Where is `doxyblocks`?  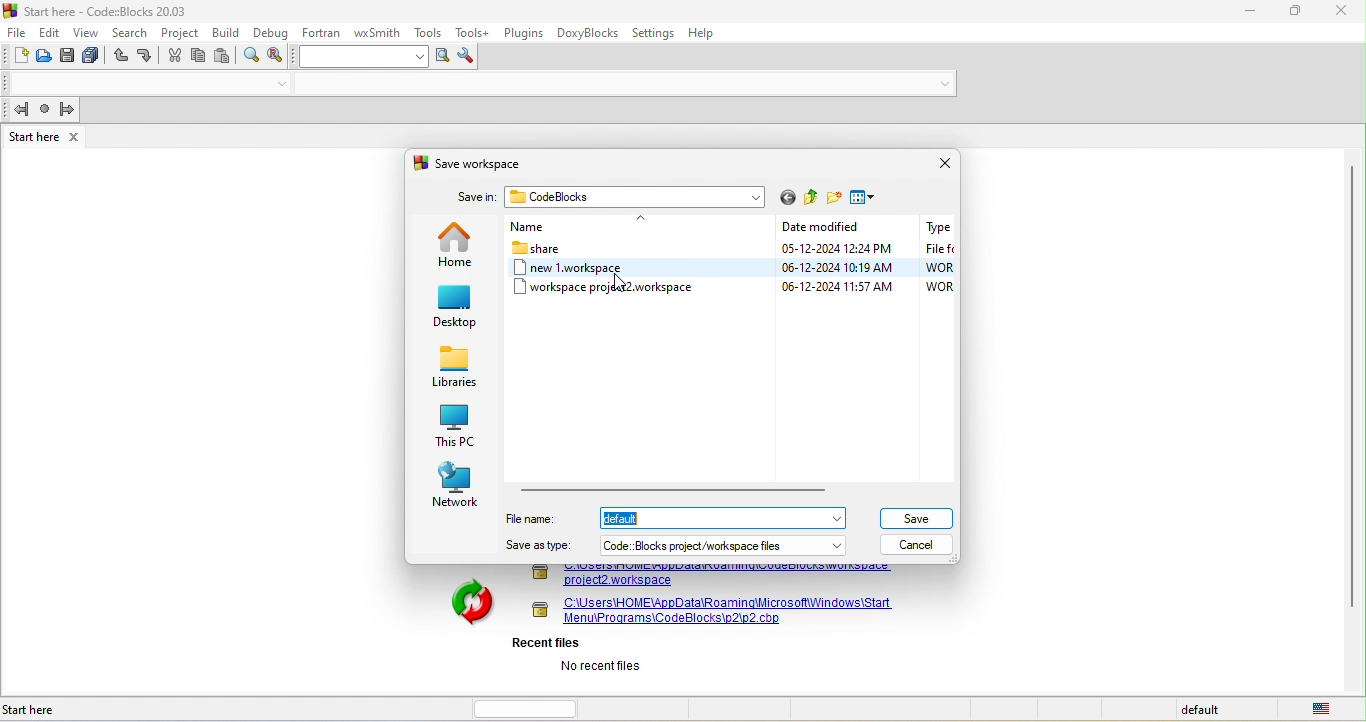
doxyblocks is located at coordinates (588, 34).